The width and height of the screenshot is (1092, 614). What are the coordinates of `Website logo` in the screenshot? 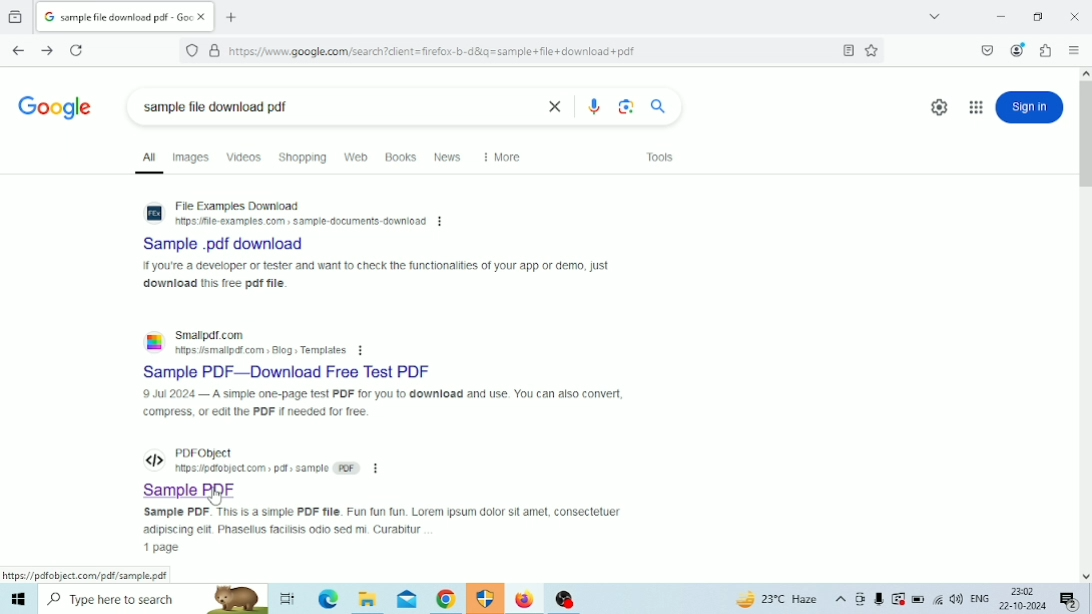 It's located at (156, 341).